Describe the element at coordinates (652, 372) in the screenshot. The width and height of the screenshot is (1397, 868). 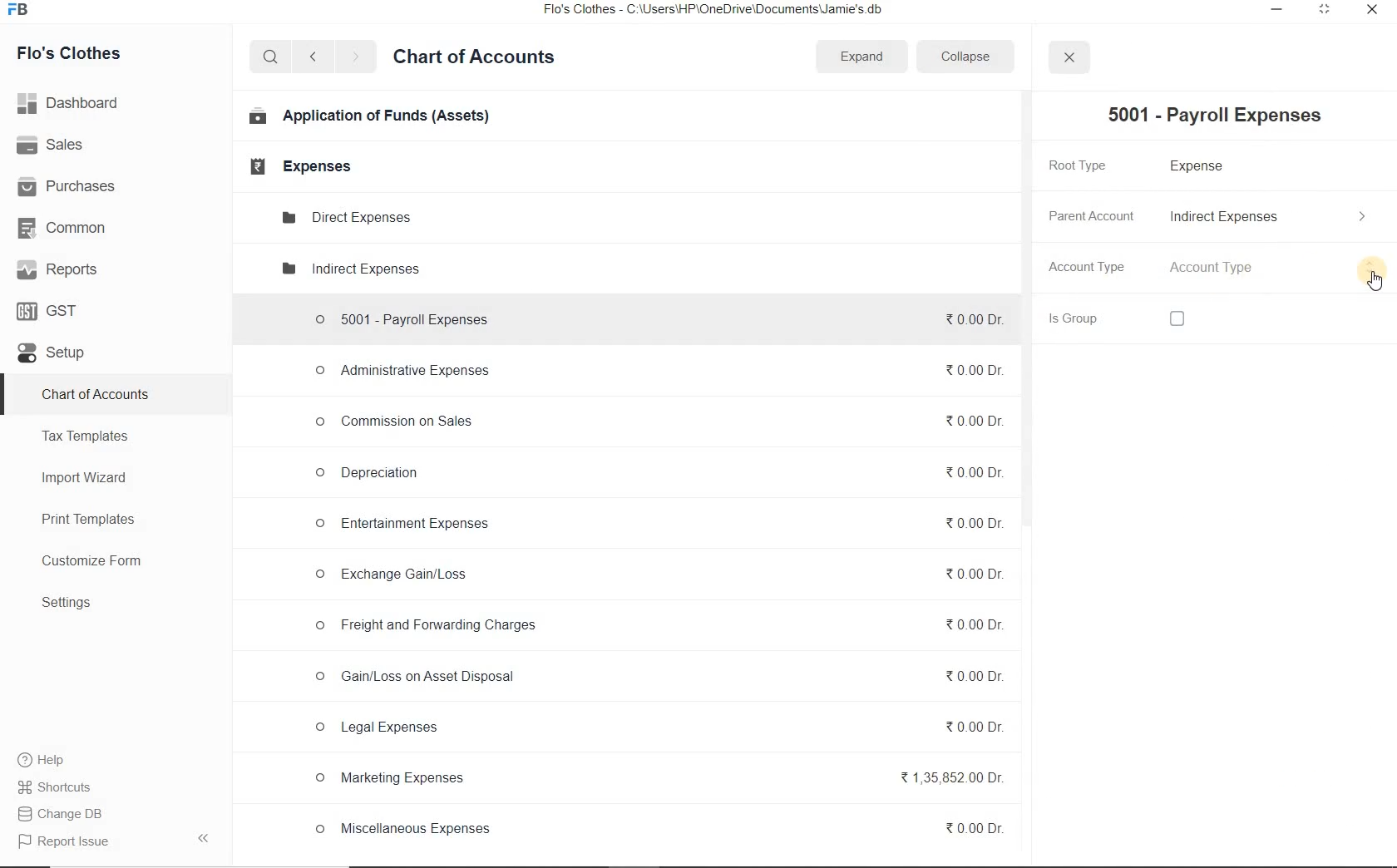
I see `© Administrative Expenses %0.00Dr.` at that location.